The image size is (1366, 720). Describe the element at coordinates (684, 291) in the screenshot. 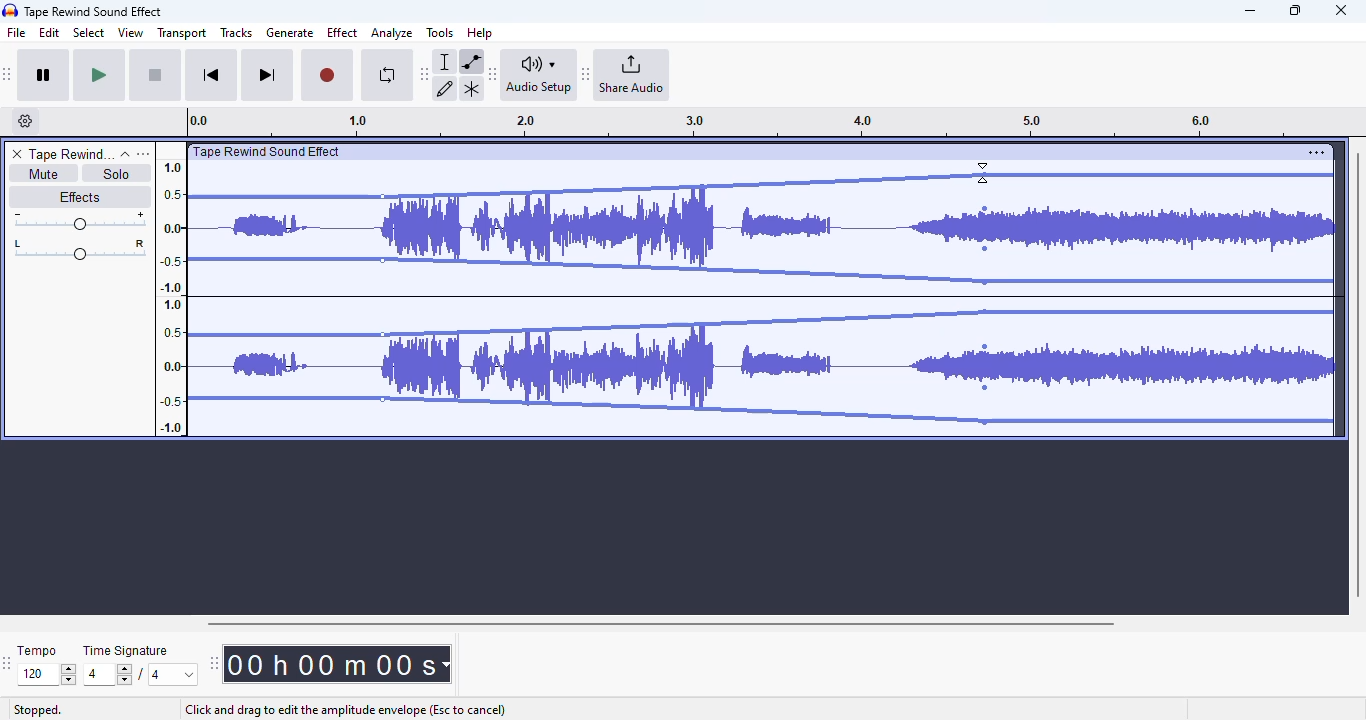

I see `Volume of track reduced` at that location.